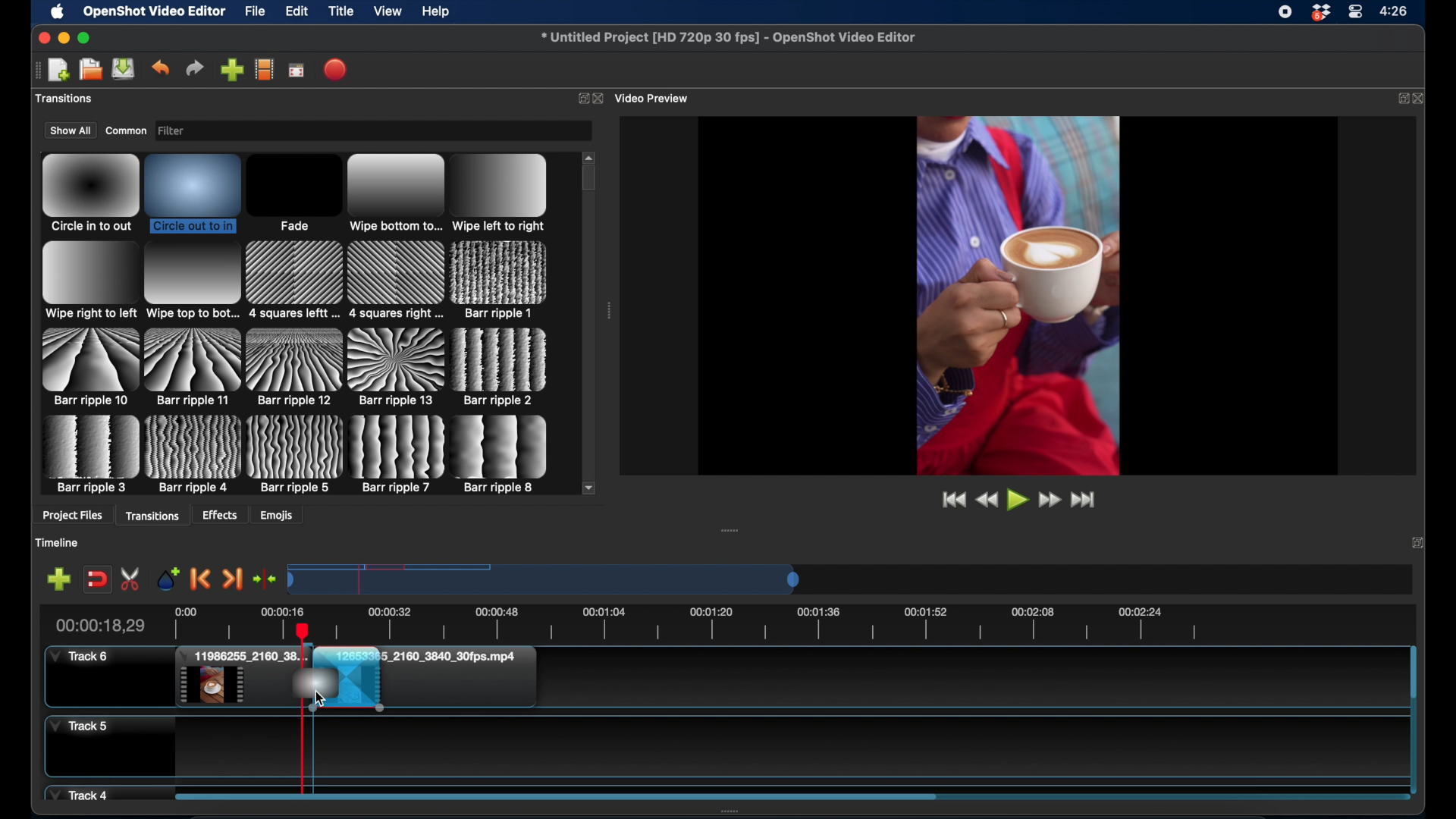 This screenshot has width=1456, height=819. I want to click on jump to start, so click(951, 499).